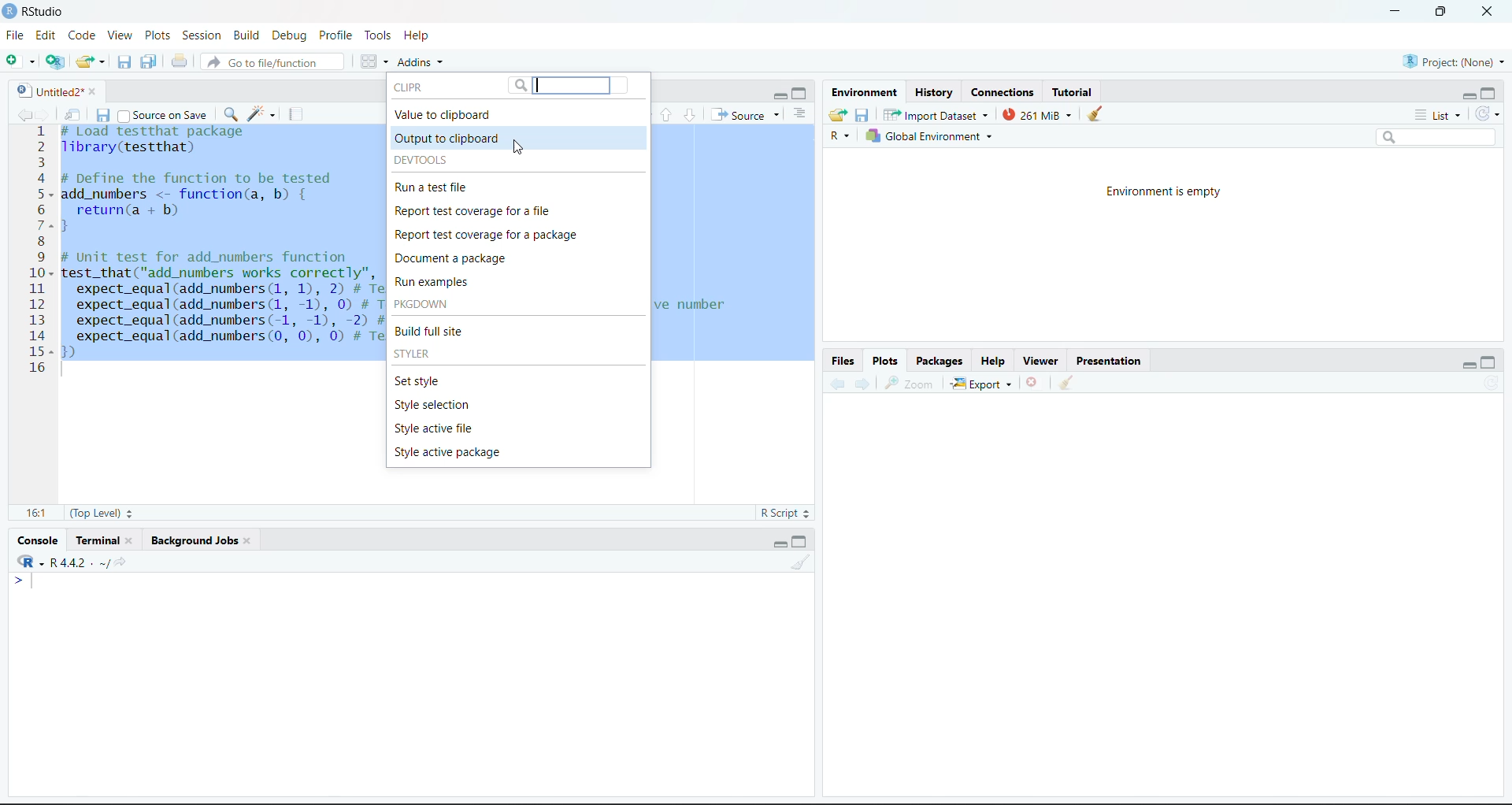 Image resolution: width=1512 pixels, height=805 pixels. I want to click on Save all the open documents, so click(150, 61).